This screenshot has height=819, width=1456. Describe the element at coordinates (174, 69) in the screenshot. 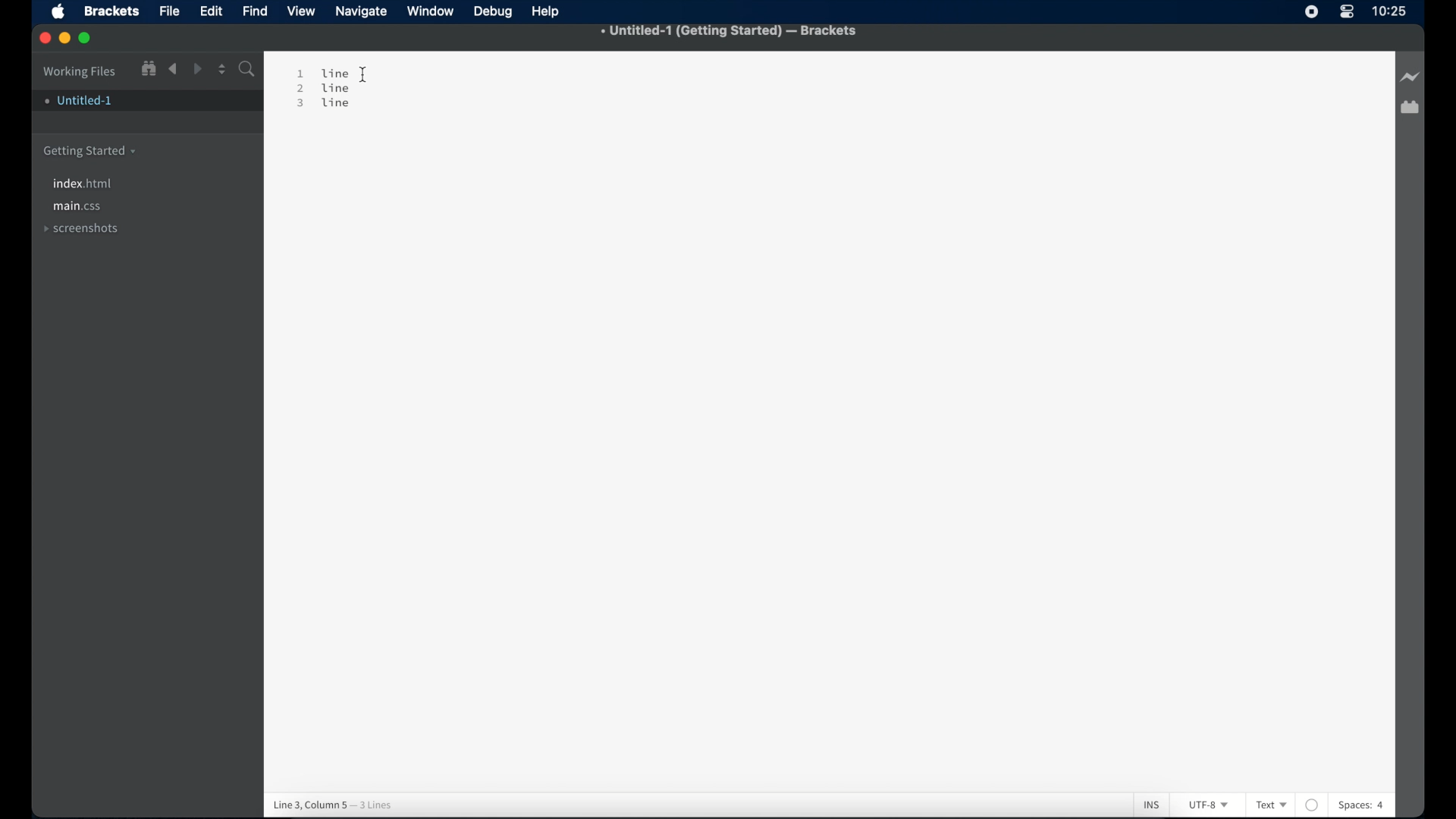

I see `navigate backward` at that location.